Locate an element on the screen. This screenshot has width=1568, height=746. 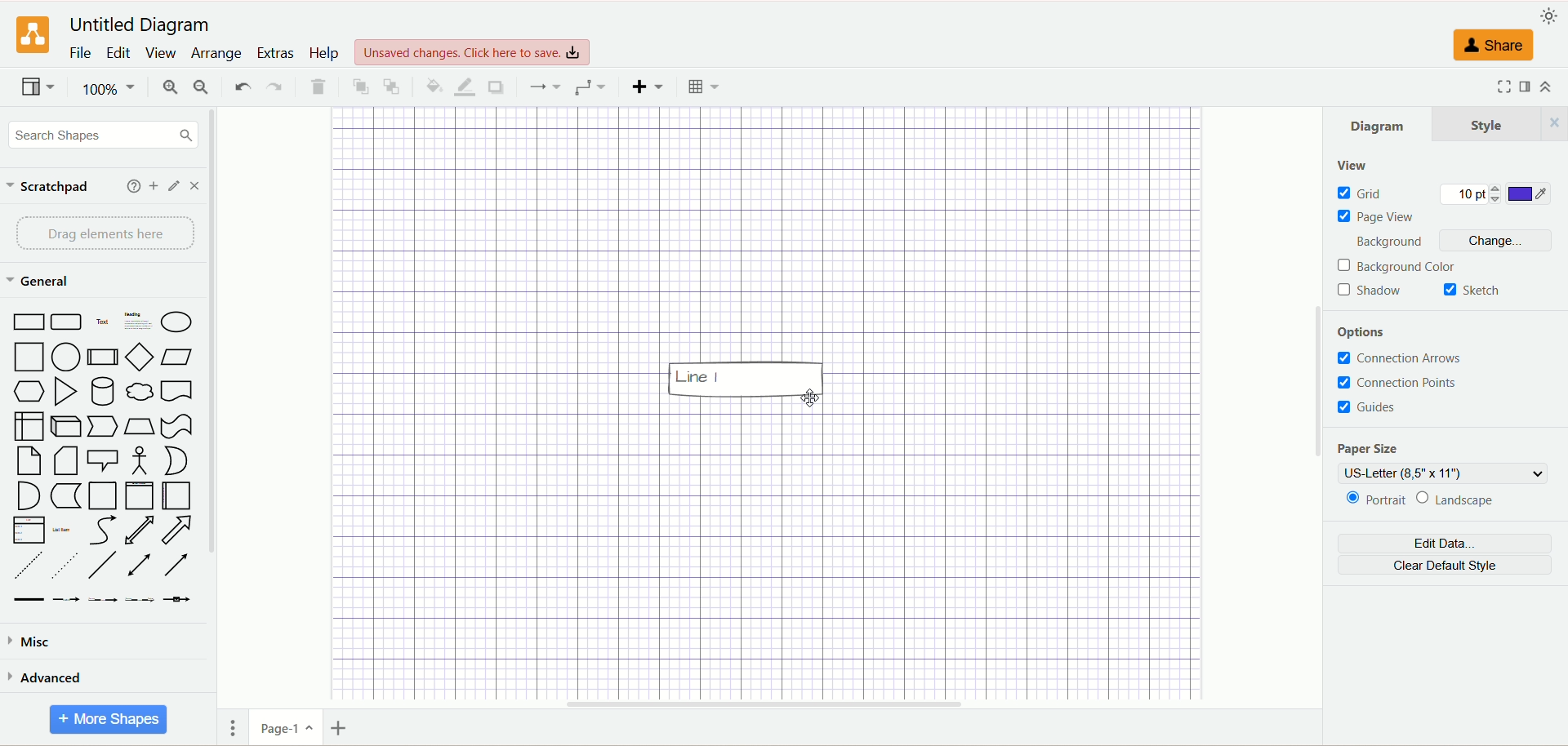
style is located at coordinates (1495, 123).